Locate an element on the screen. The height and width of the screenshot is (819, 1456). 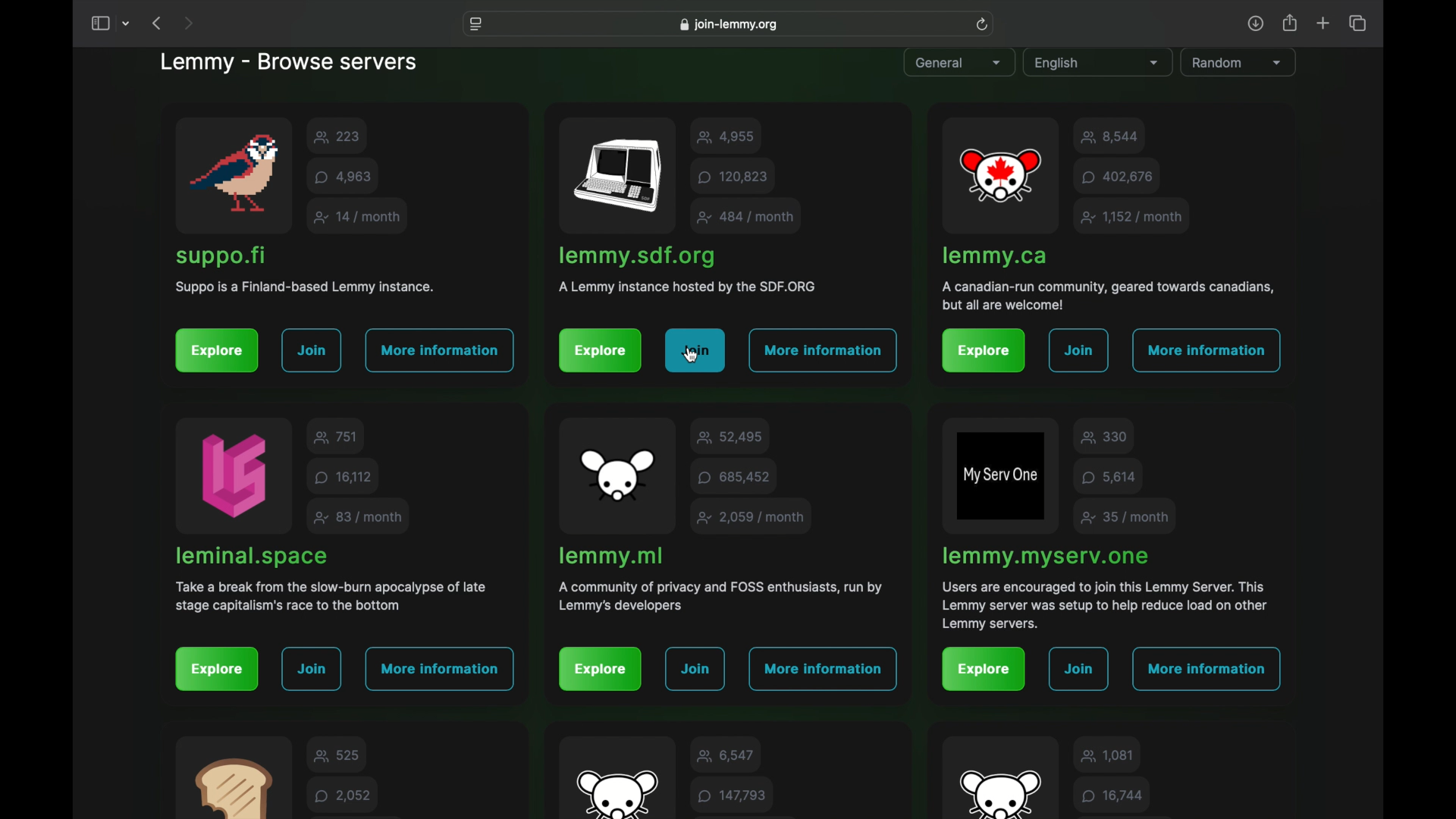
participants is located at coordinates (336, 136).